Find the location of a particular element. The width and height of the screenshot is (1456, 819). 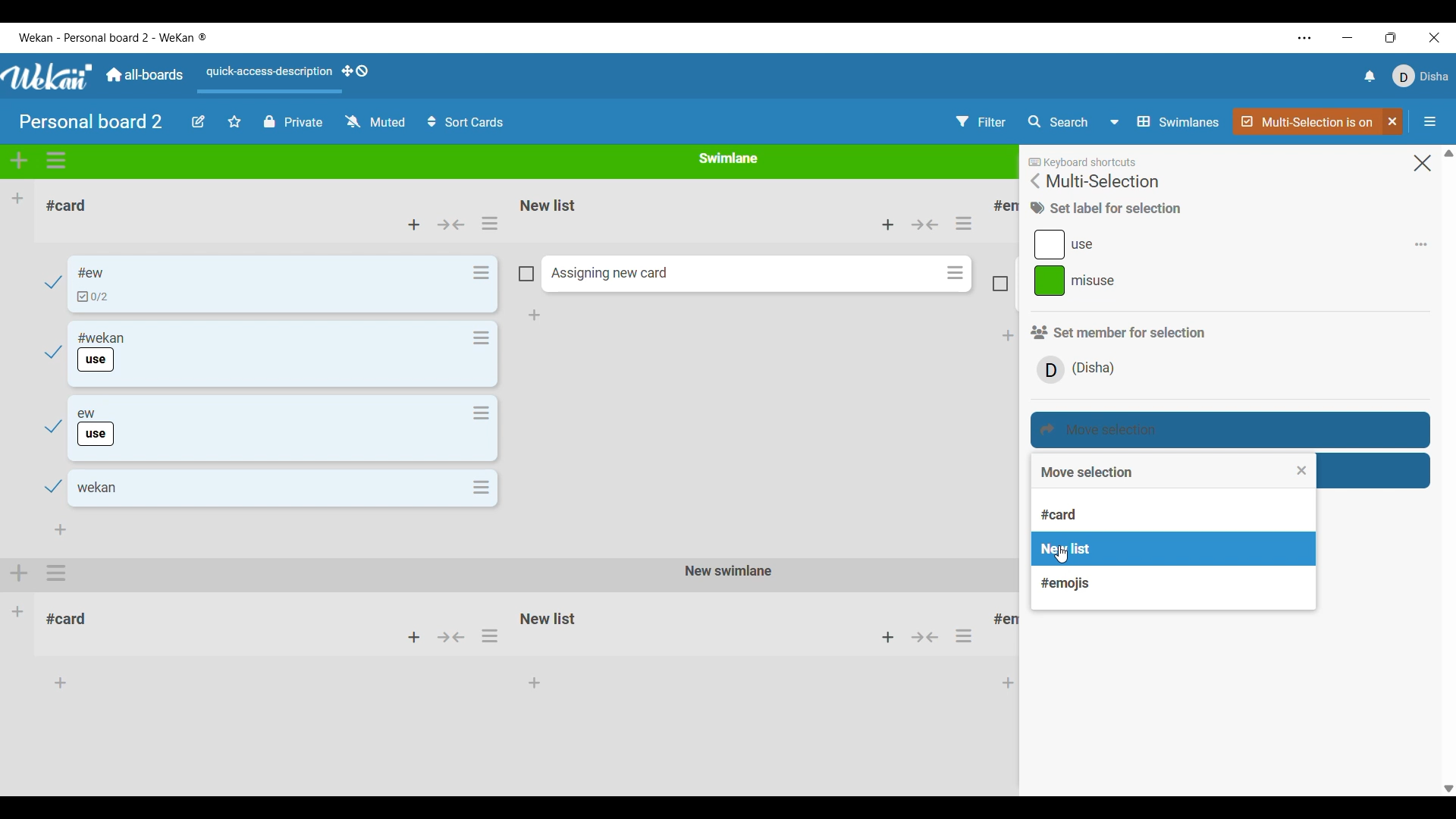

Show desktop drag handles is located at coordinates (355, 71).